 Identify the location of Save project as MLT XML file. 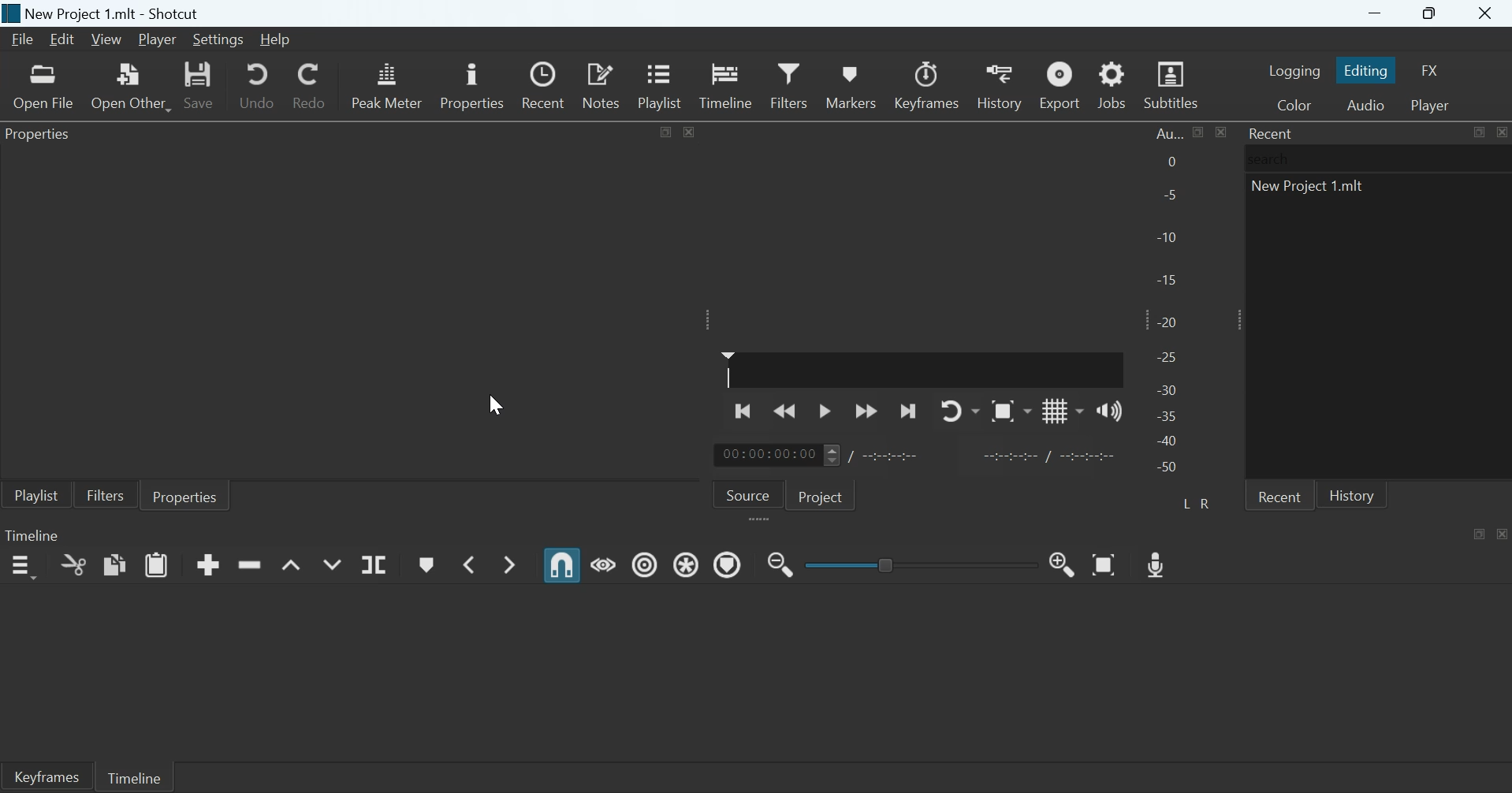
(200, 85).